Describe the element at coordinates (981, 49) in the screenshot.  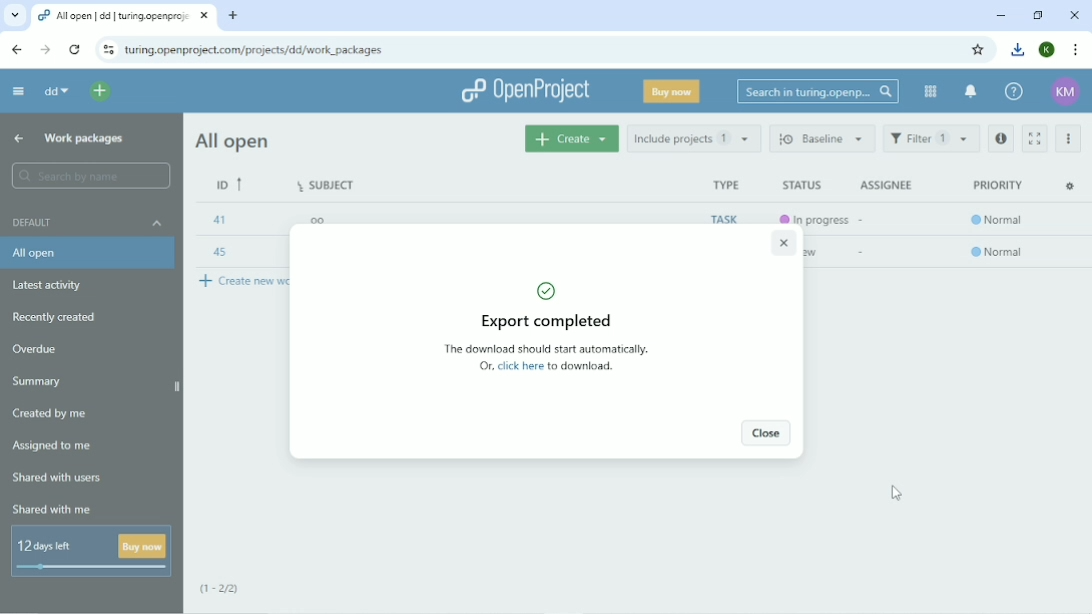
I see `Bookmark this tab` at that location.